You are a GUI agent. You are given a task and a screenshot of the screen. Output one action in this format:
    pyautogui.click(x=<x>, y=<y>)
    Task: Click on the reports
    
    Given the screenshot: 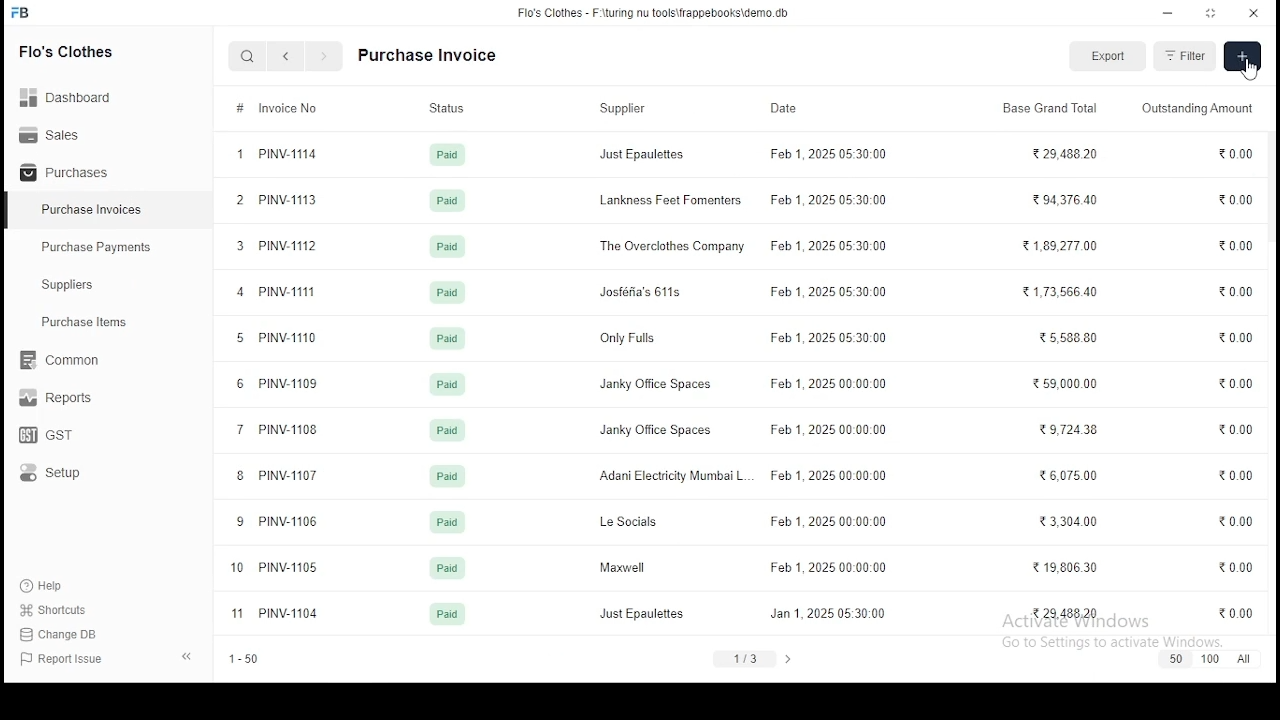 What is the action you would take?
    pyautogui.click(x=58, y=400)
    